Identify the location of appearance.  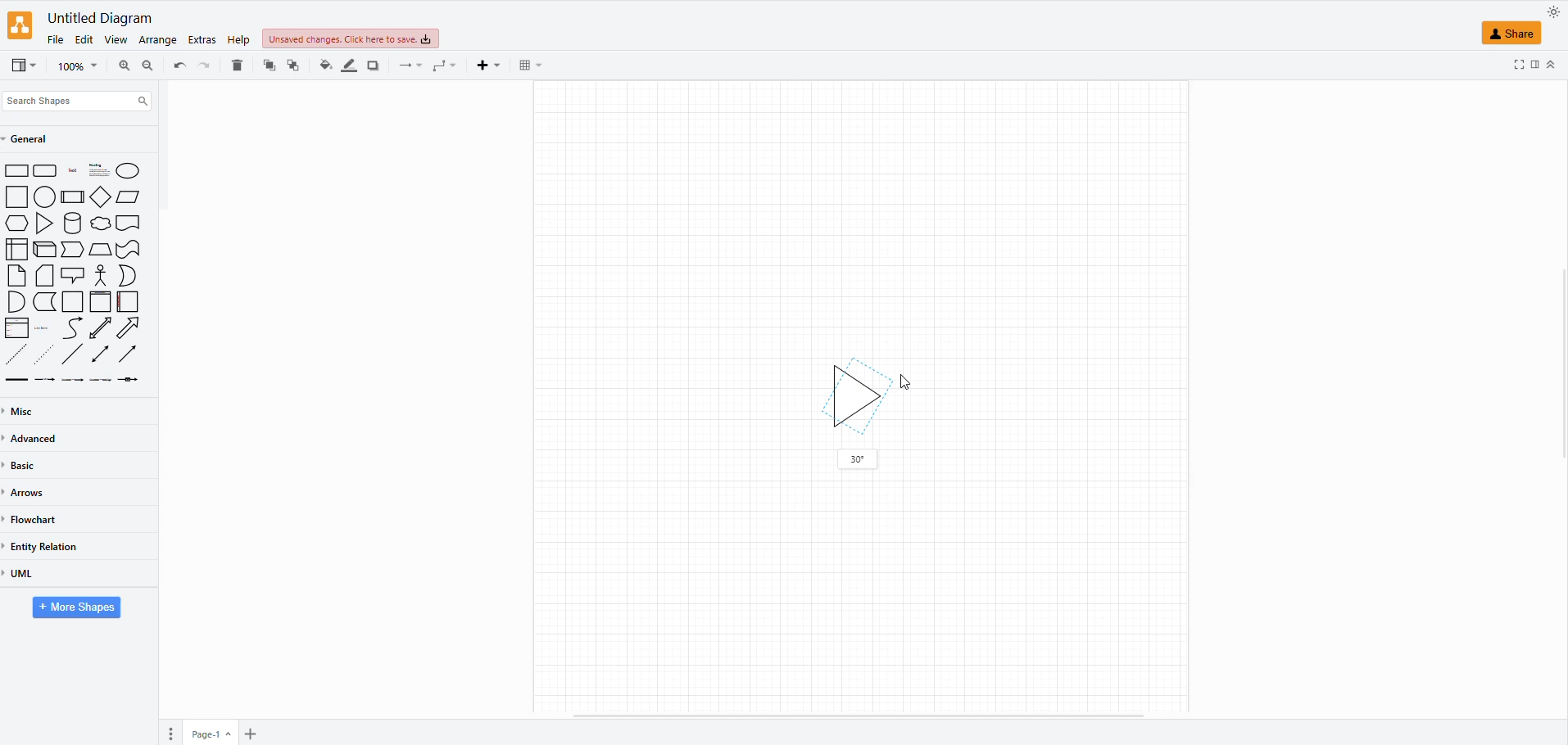
(1552, 12).